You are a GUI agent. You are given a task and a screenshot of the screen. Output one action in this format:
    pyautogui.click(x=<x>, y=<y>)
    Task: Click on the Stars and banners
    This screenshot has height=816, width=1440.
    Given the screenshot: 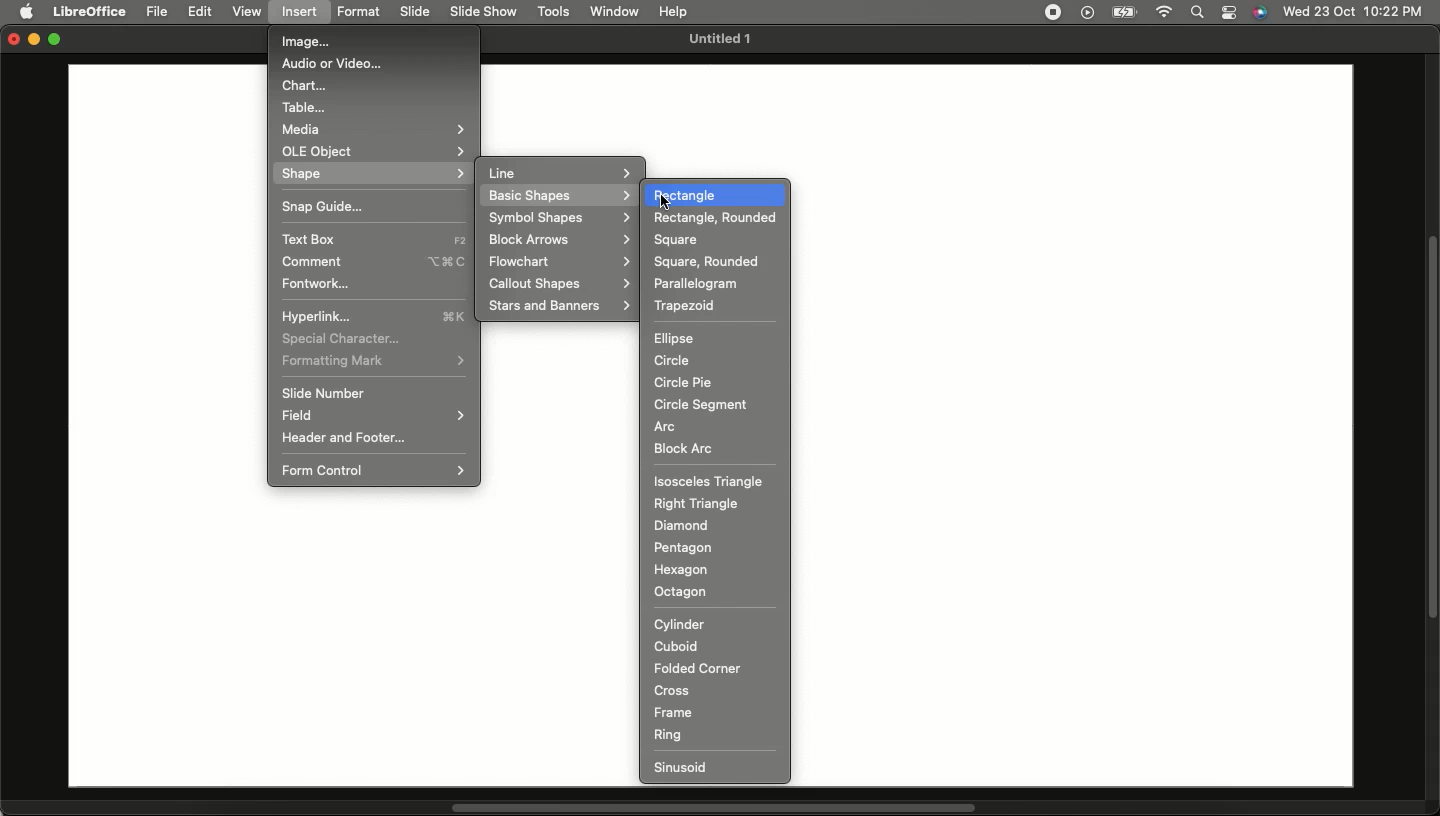 What is the action you would take?
    pyautogui.click(x=557, y=305)
    